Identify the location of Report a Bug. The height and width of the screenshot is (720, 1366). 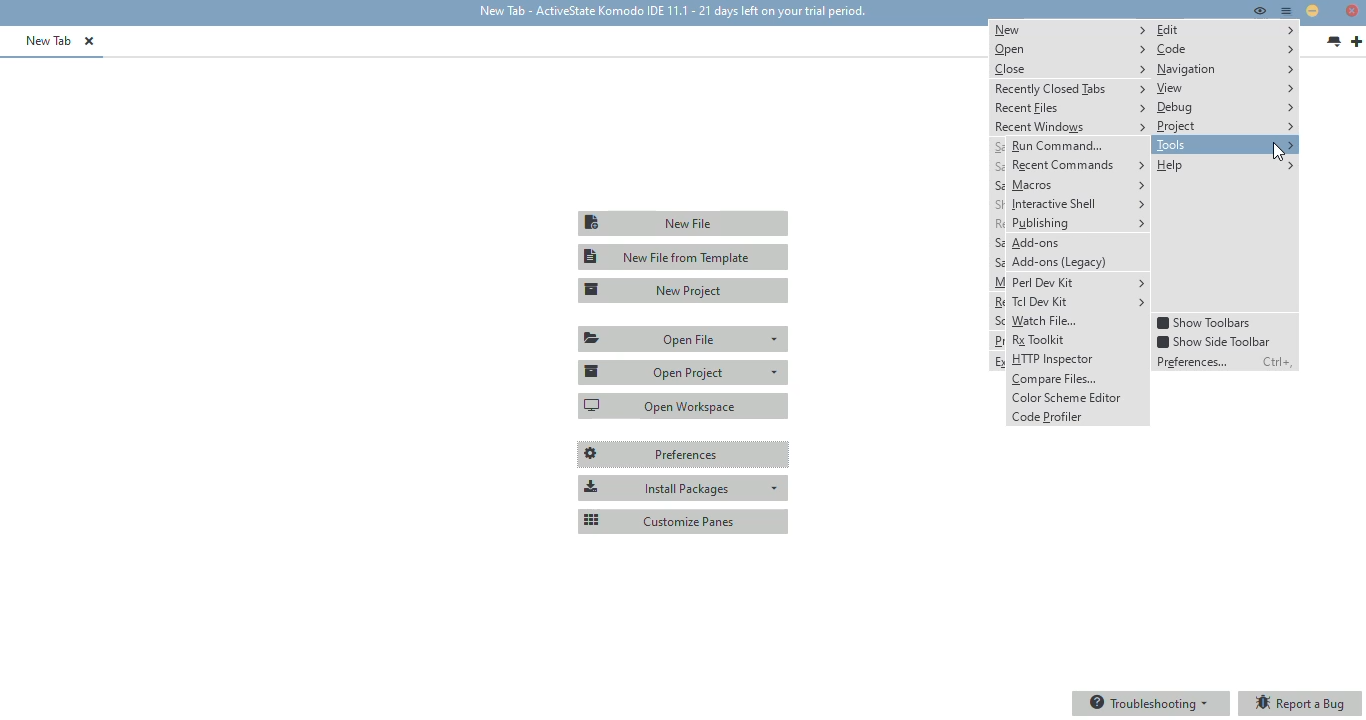
(1303, 704).